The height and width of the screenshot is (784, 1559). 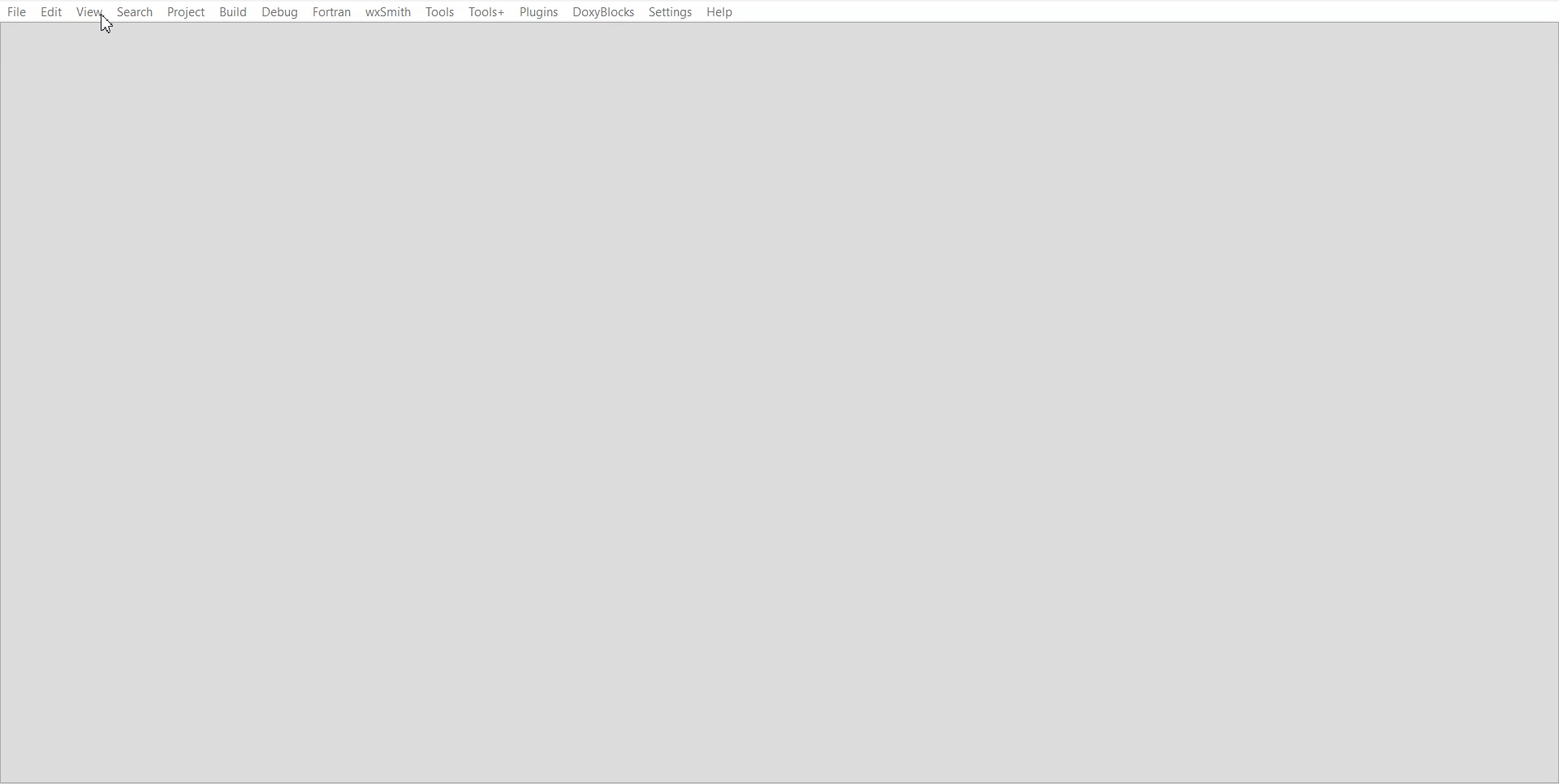 I want to click on Tools, so click(x=438, y=12).